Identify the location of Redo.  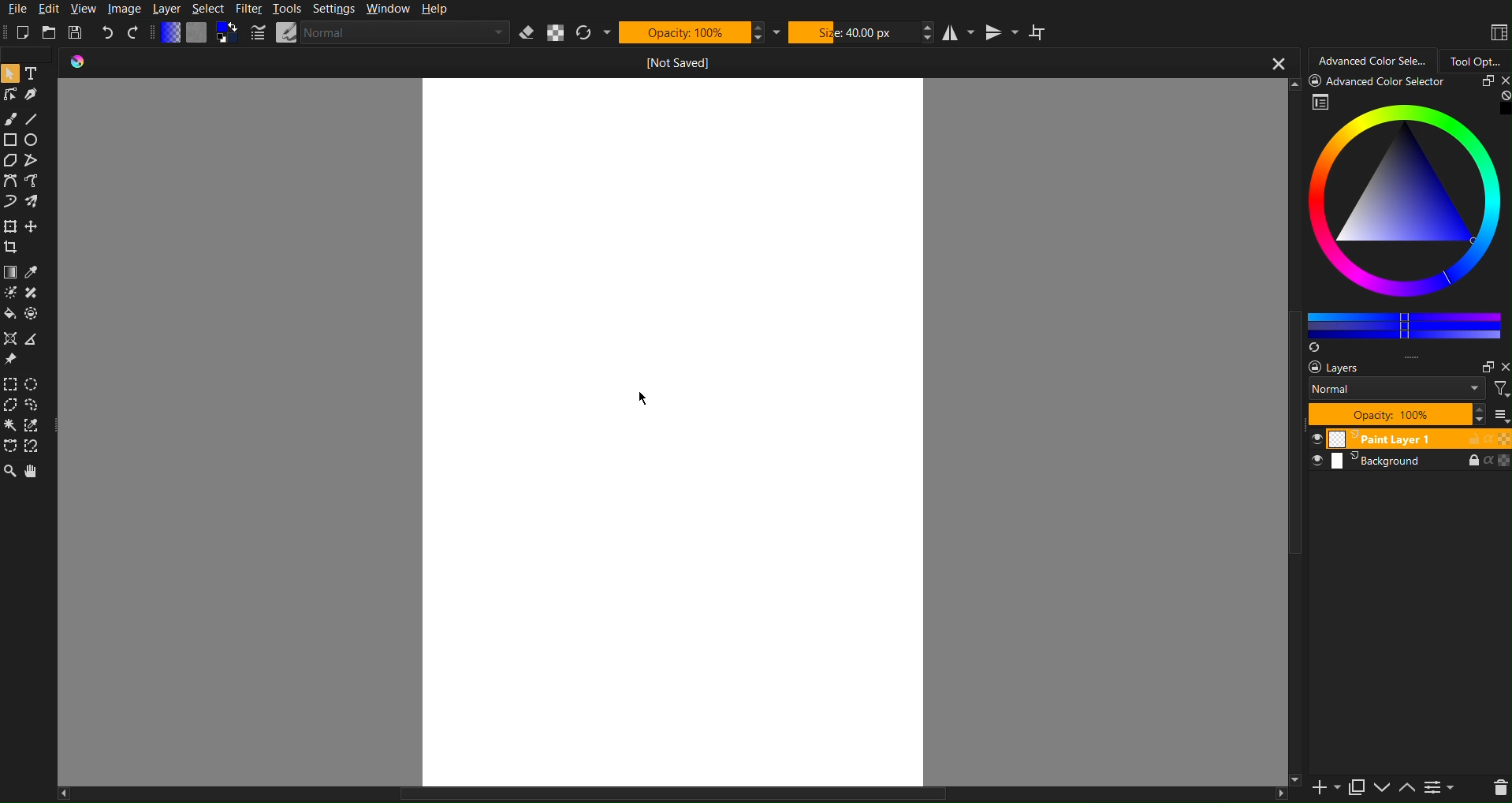
(133, 32).